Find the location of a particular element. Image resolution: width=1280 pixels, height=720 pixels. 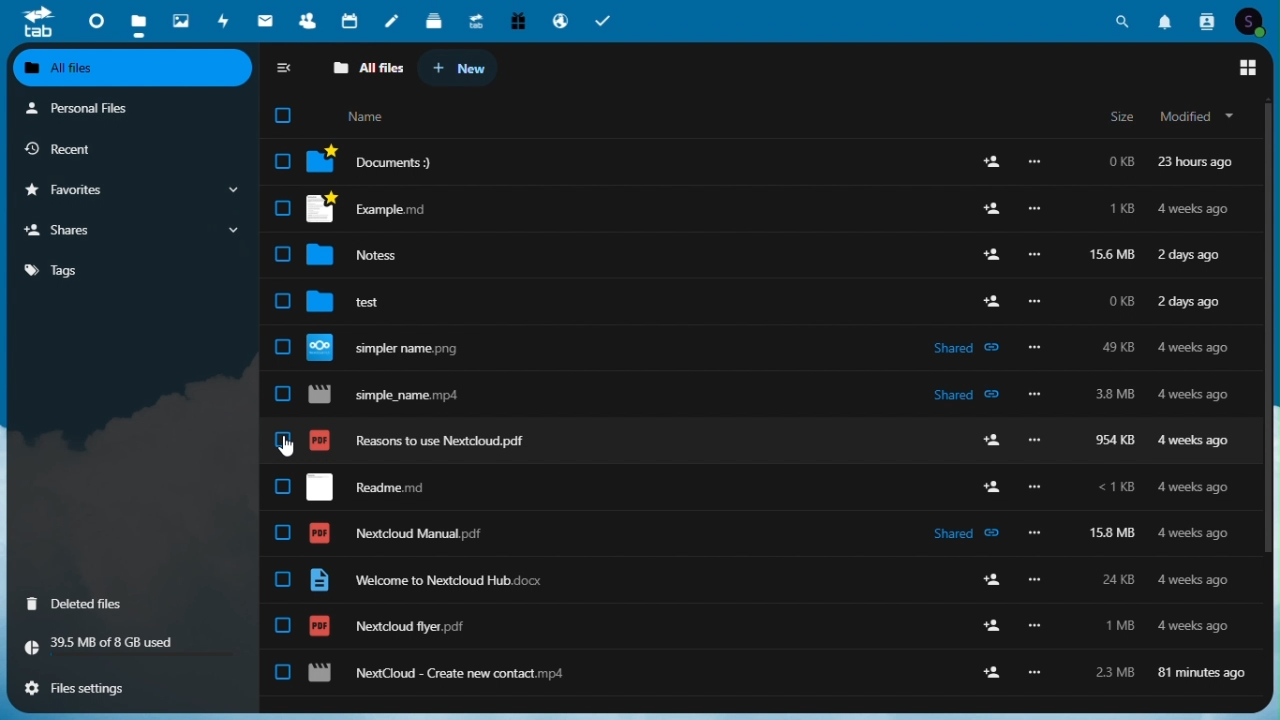

more options is located at coordinates (1035, 210).